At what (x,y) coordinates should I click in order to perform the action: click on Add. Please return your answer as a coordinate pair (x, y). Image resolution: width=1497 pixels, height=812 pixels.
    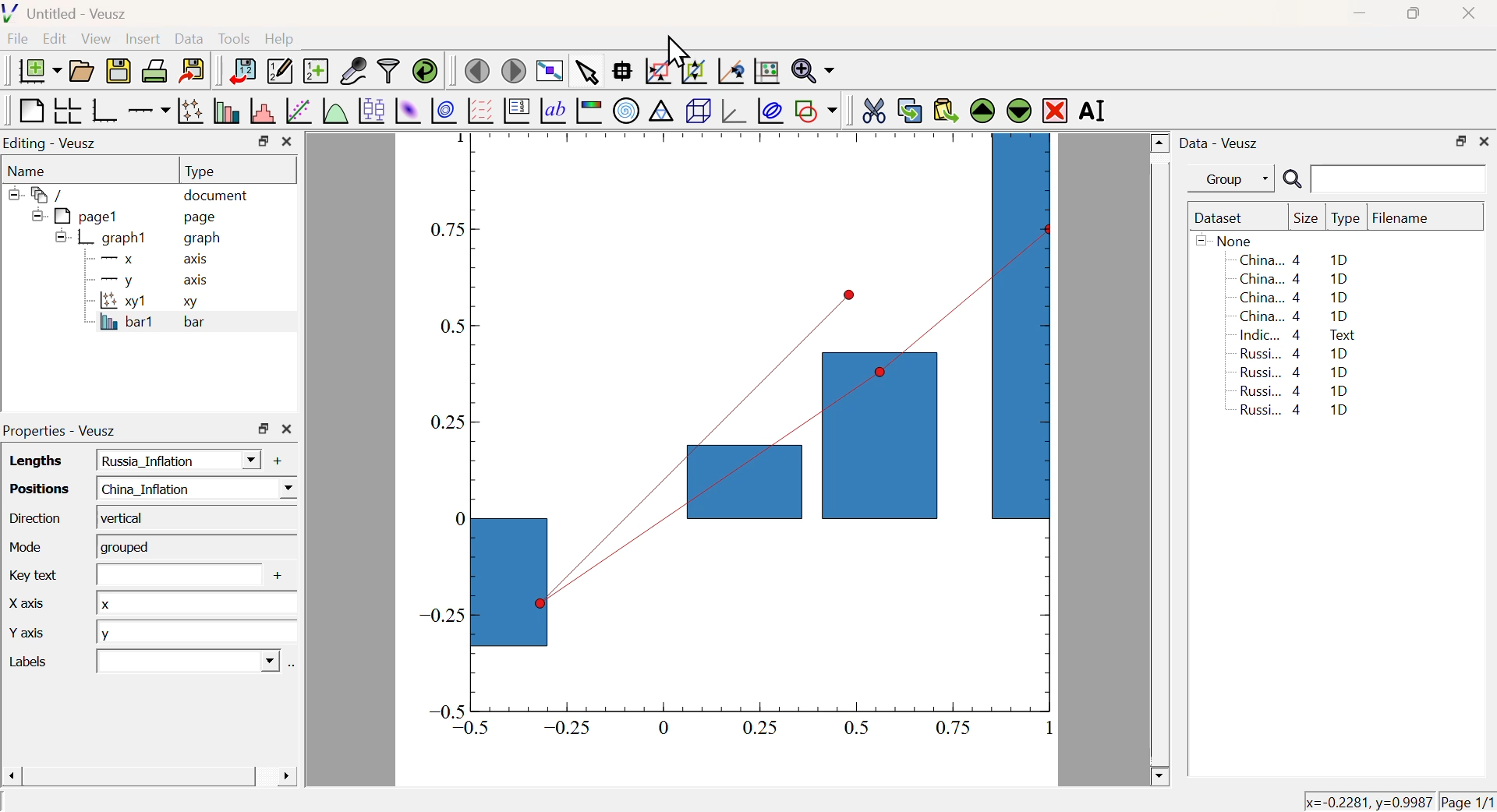
    Looking at the image, I should click on (272, 577).